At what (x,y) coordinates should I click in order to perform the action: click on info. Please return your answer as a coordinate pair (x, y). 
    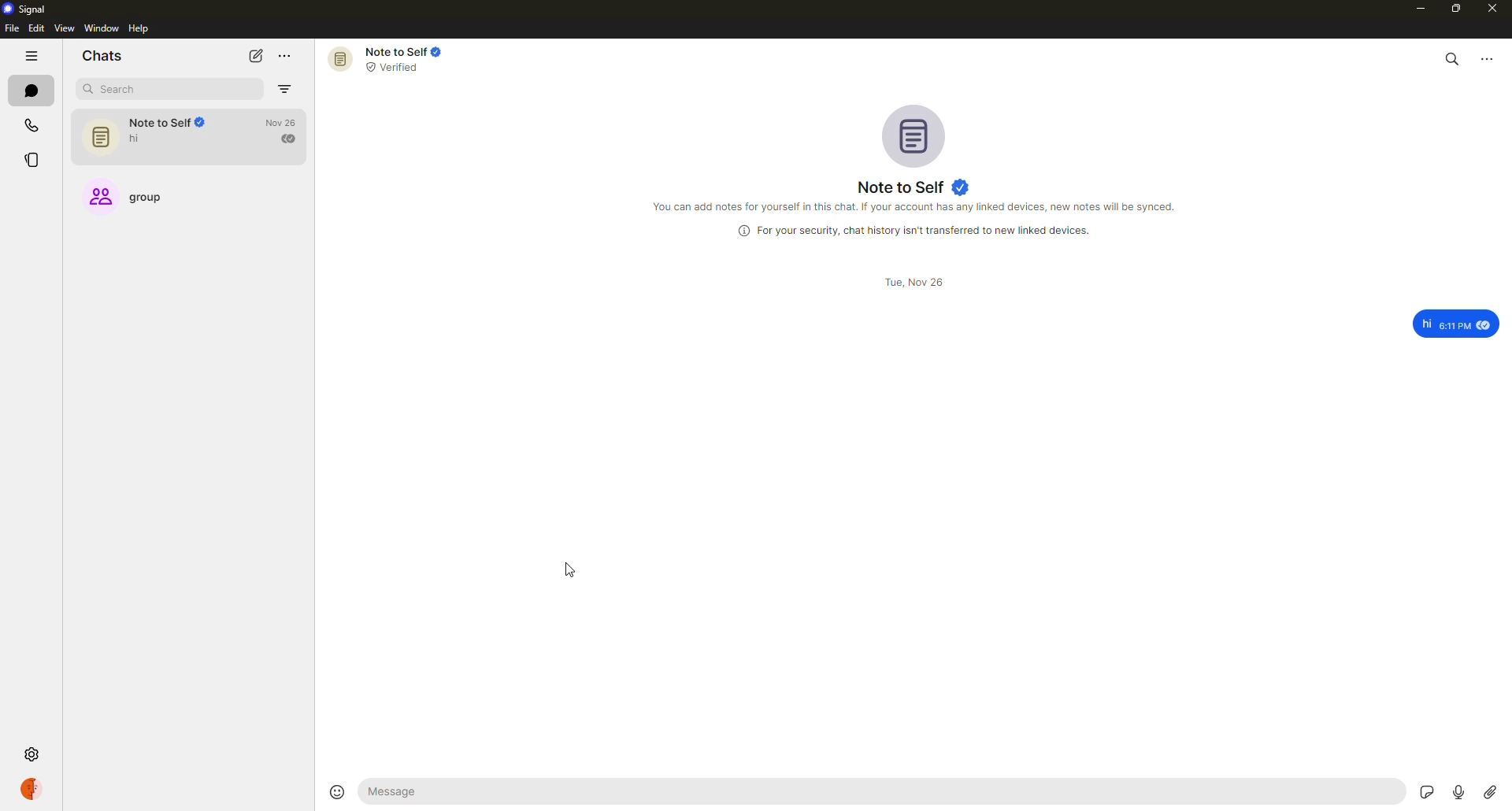
    Looking at the image, I should click on (914, 209).